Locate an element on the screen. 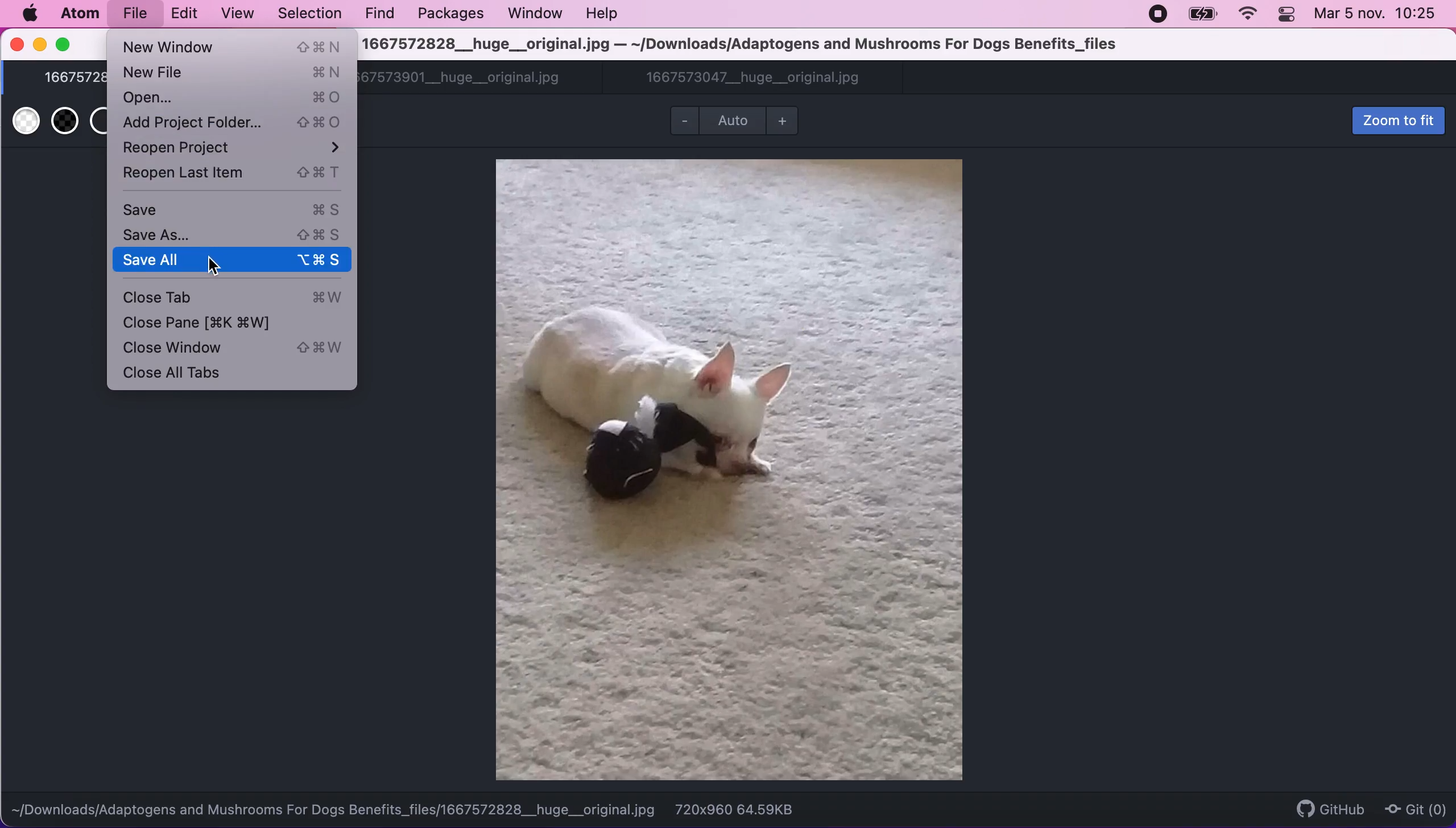  save all is located at coordinates (232, 262).